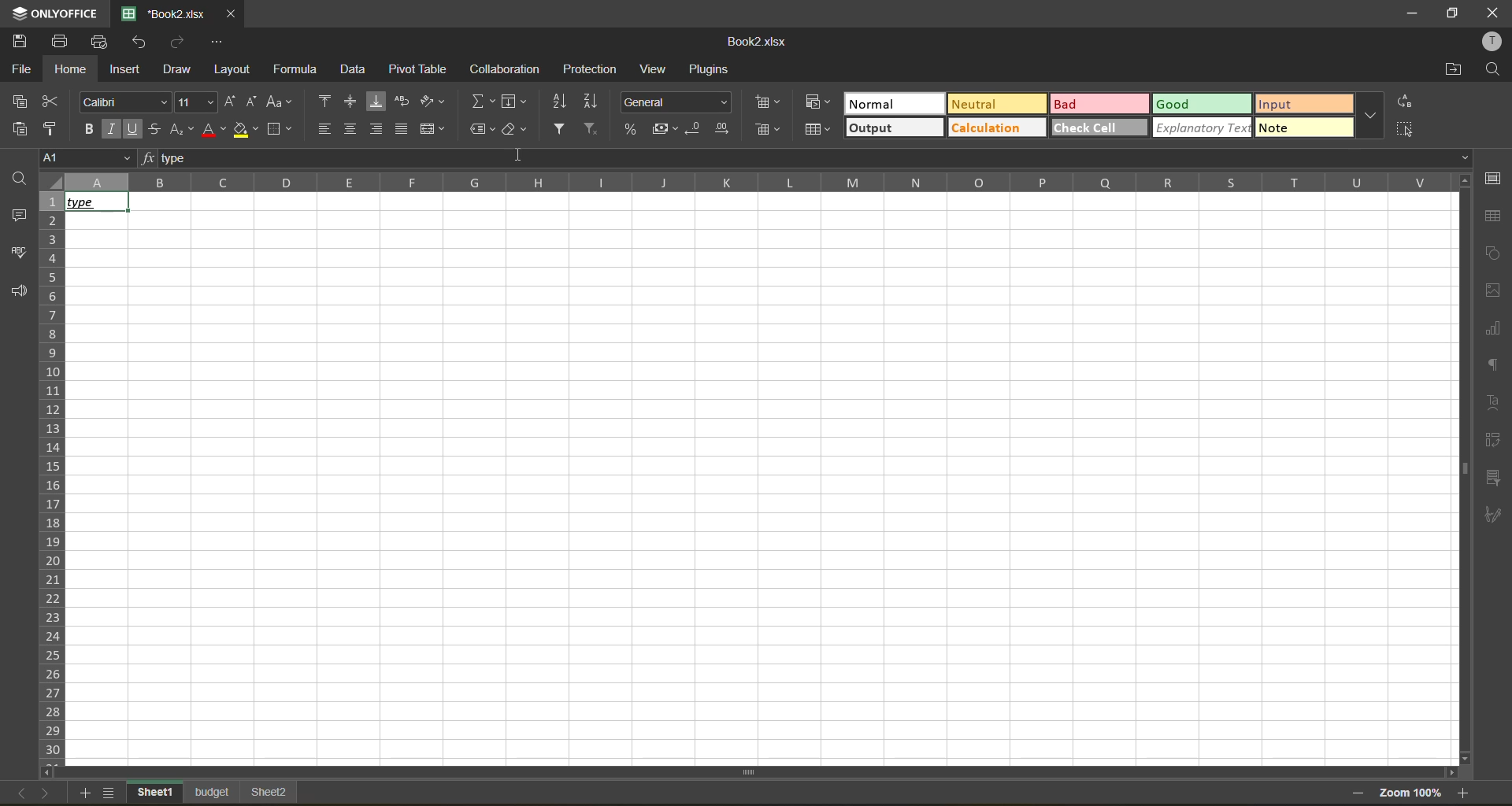 The height and width of the screenshot is (806, 1512). I want to click on plugins, so click(712, 70).